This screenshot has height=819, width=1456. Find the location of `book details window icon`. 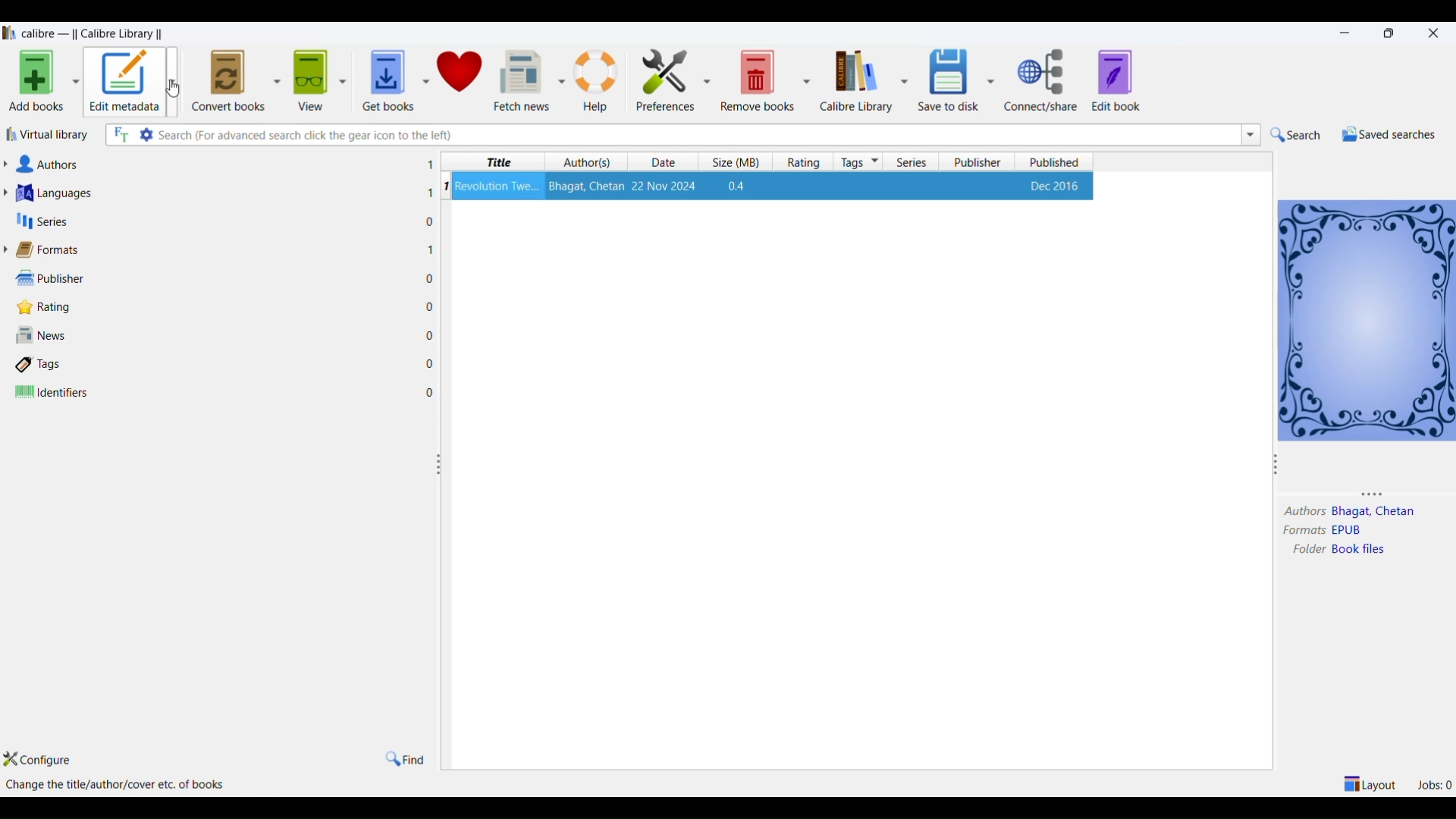

book details window icon is located at coordinates (1366, 318).